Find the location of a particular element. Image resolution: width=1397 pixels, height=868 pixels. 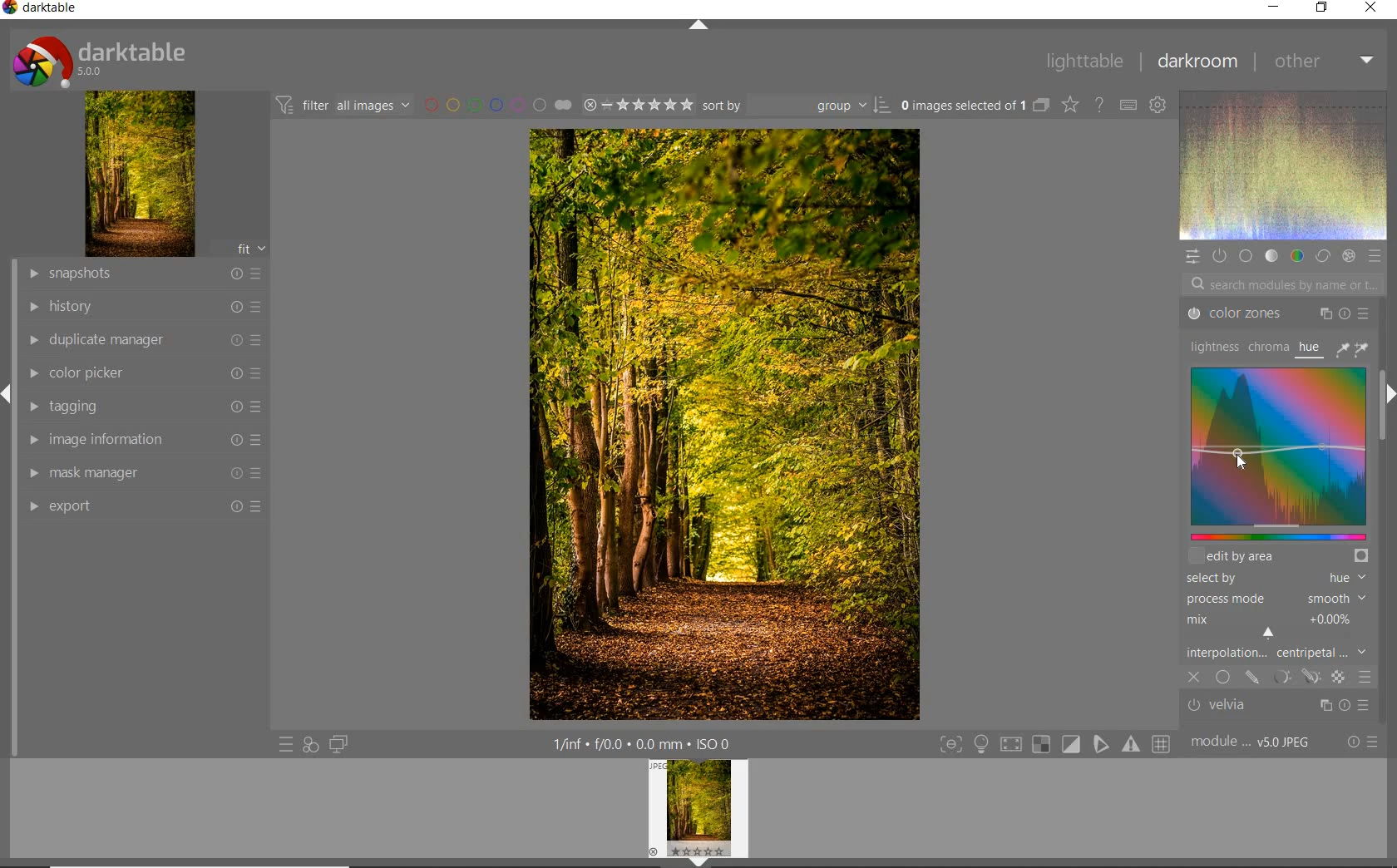

SORT is located at coordinates (795, 105).